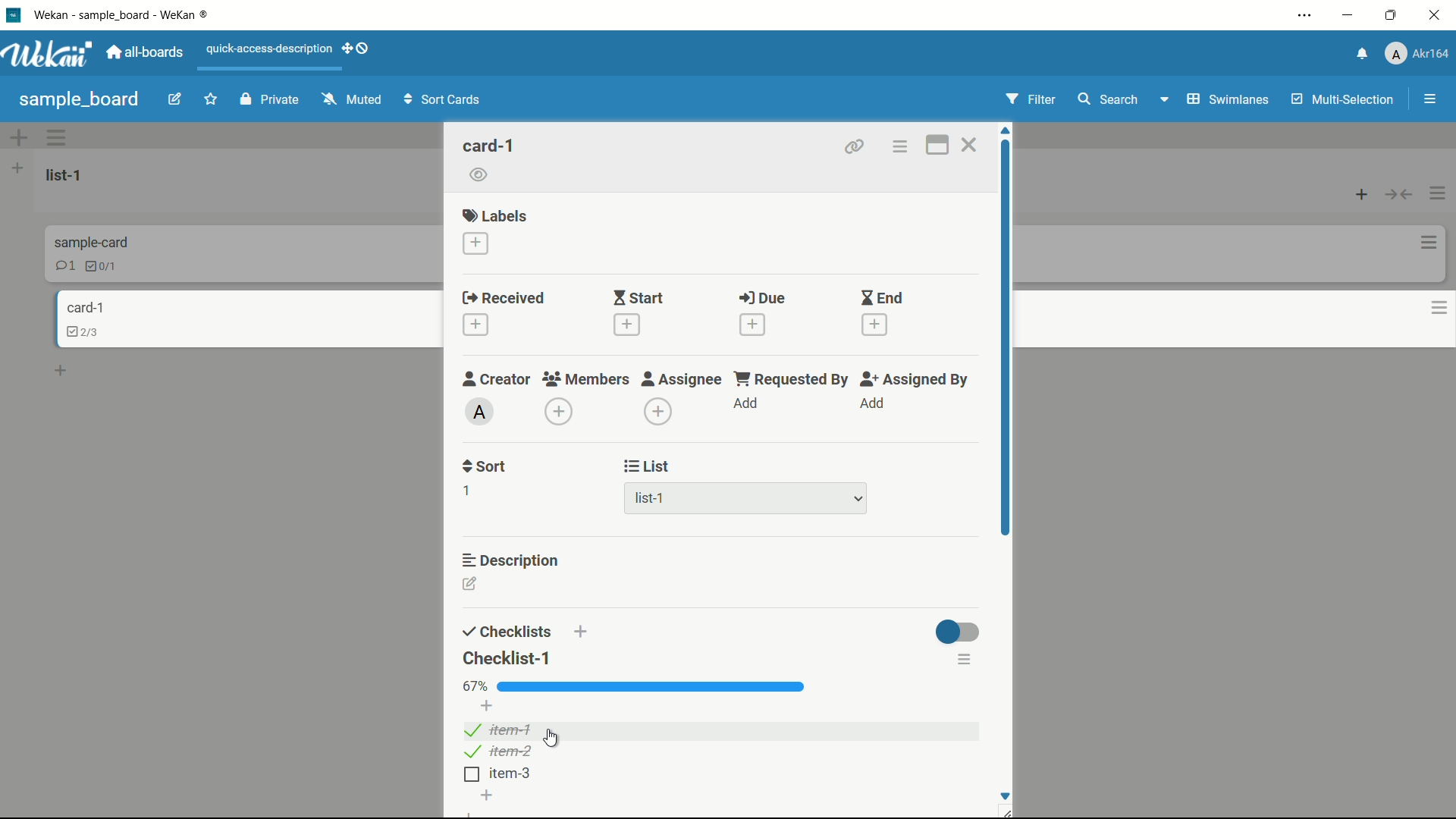 This screenshot has width=1456, height=819. Describe the element at coordinates (89, 242) in the screenshot. I see `card name` at that location.